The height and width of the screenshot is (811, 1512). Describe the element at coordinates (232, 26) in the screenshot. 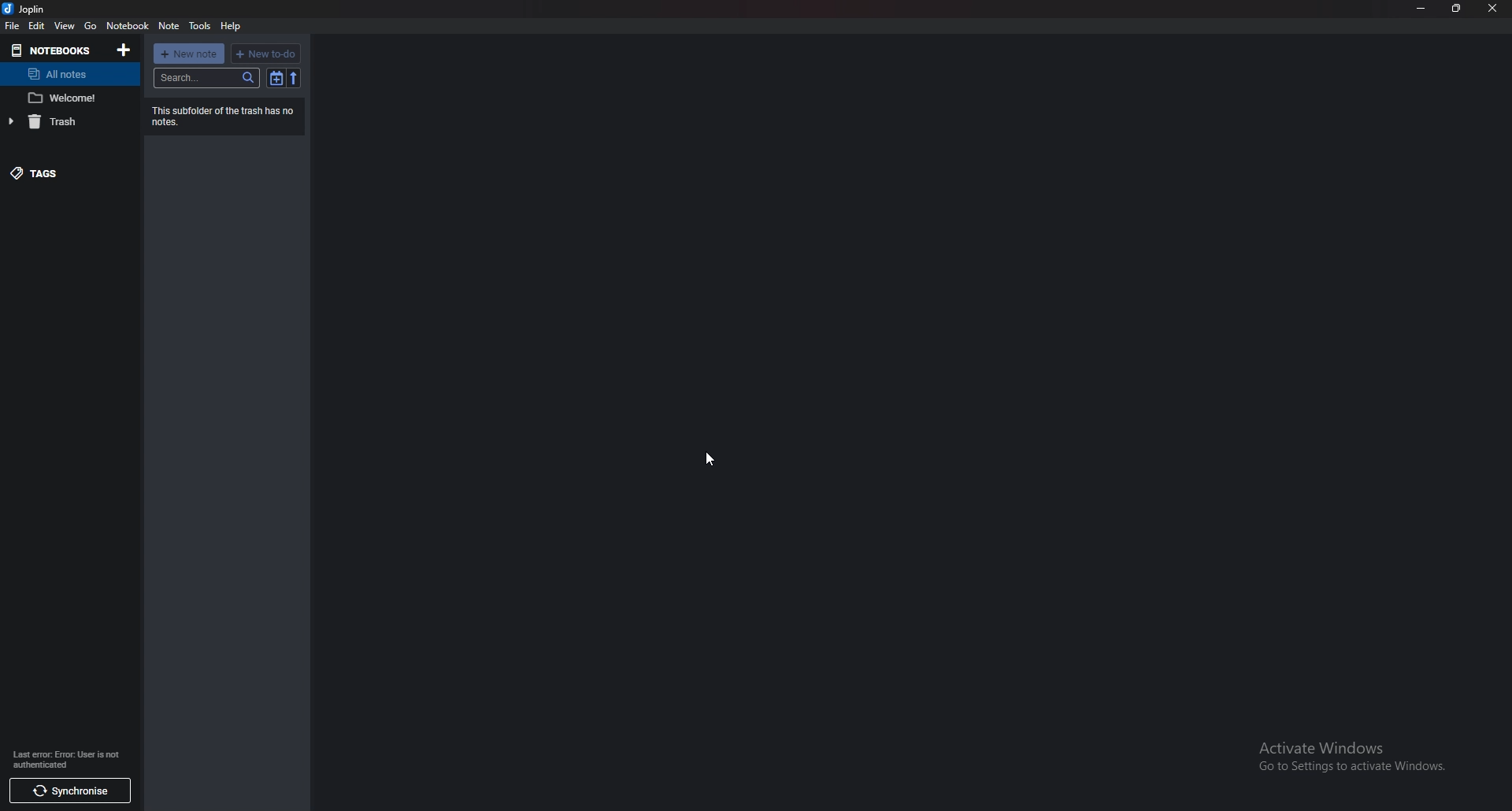

I see `hep` at that location.